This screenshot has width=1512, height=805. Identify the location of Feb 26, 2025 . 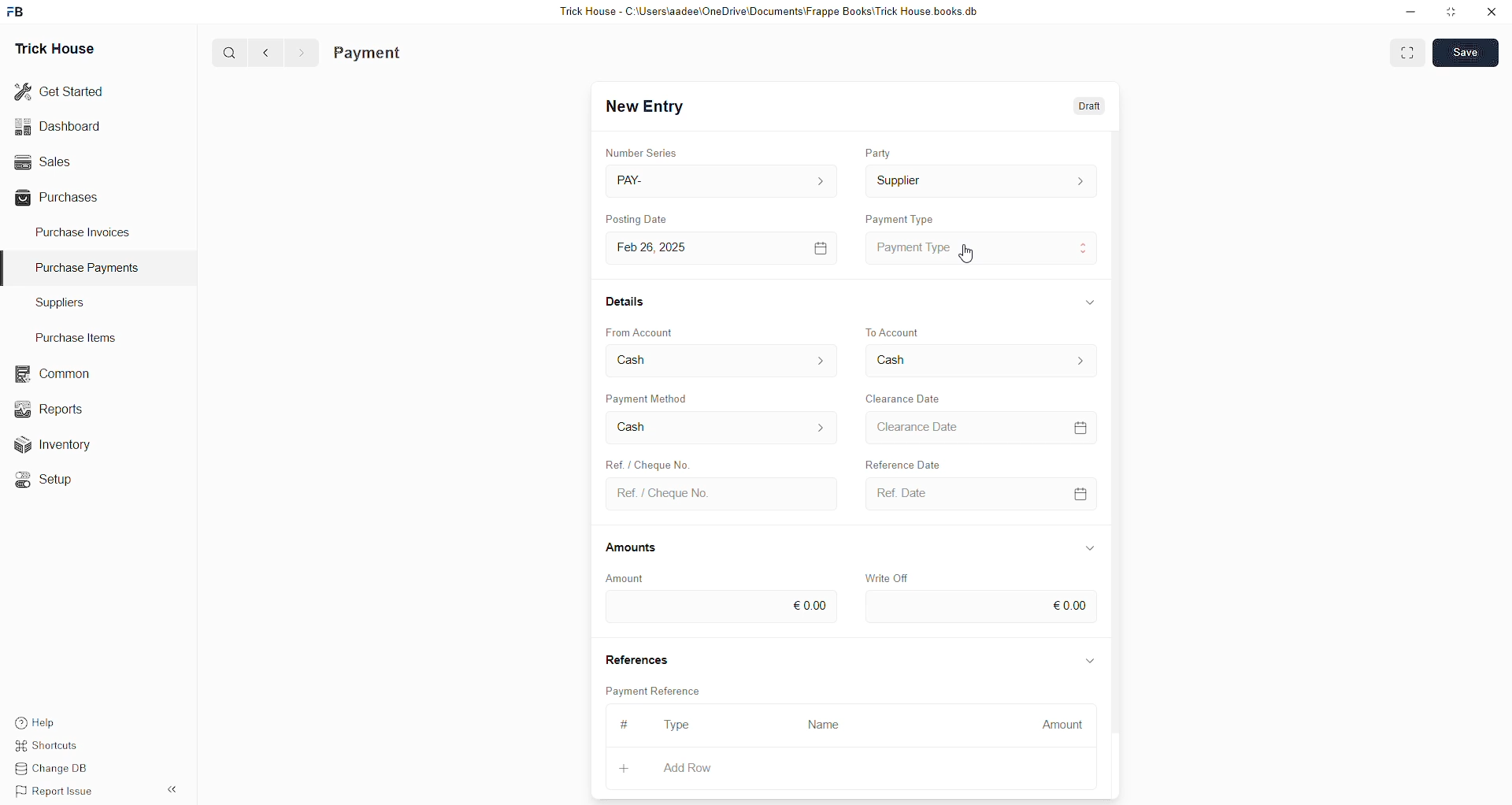
(719, 247).